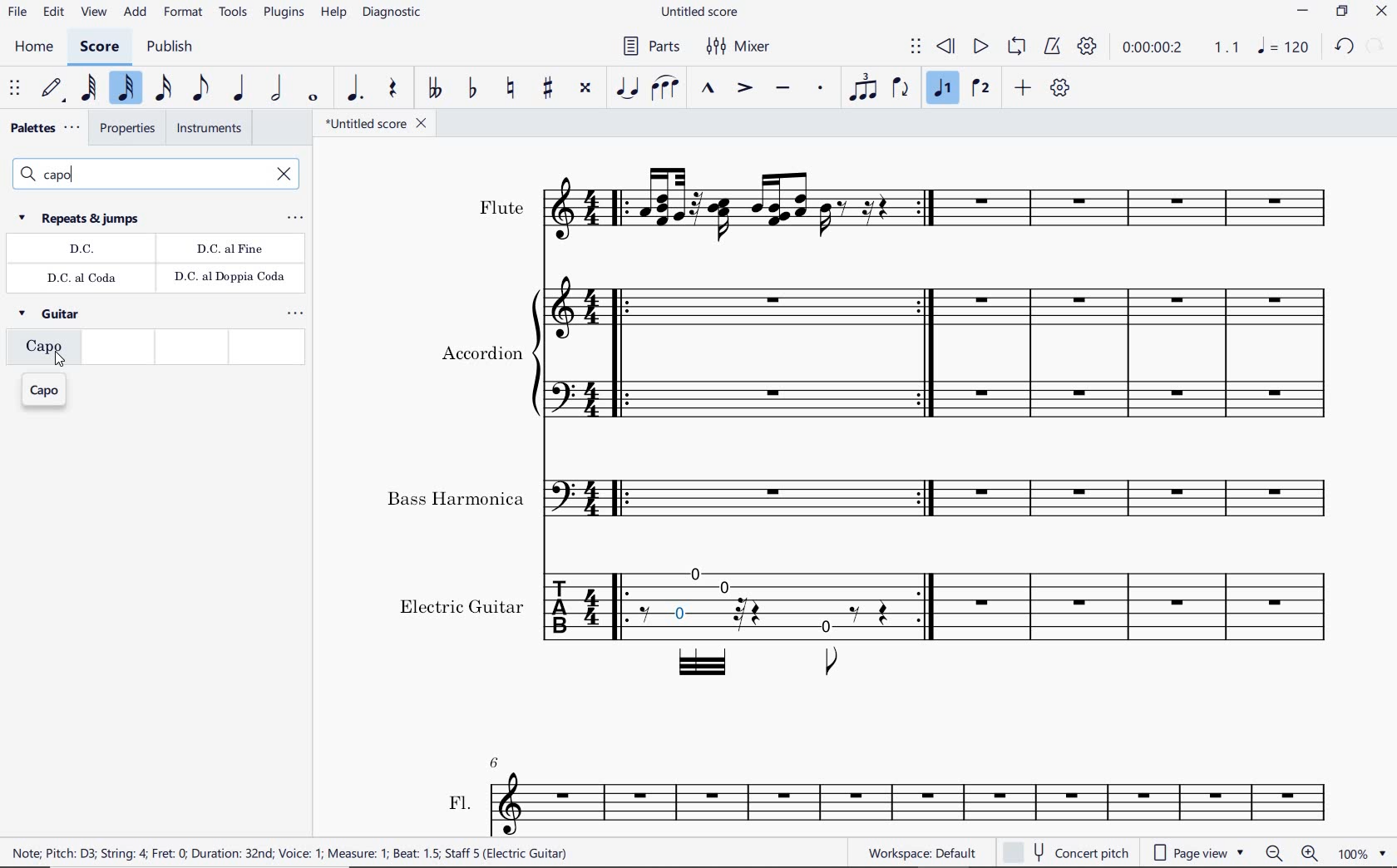  What do you see at coordinates (89, 89) in the screenshot?
I see `64th note` at bounding box center [89, 89].